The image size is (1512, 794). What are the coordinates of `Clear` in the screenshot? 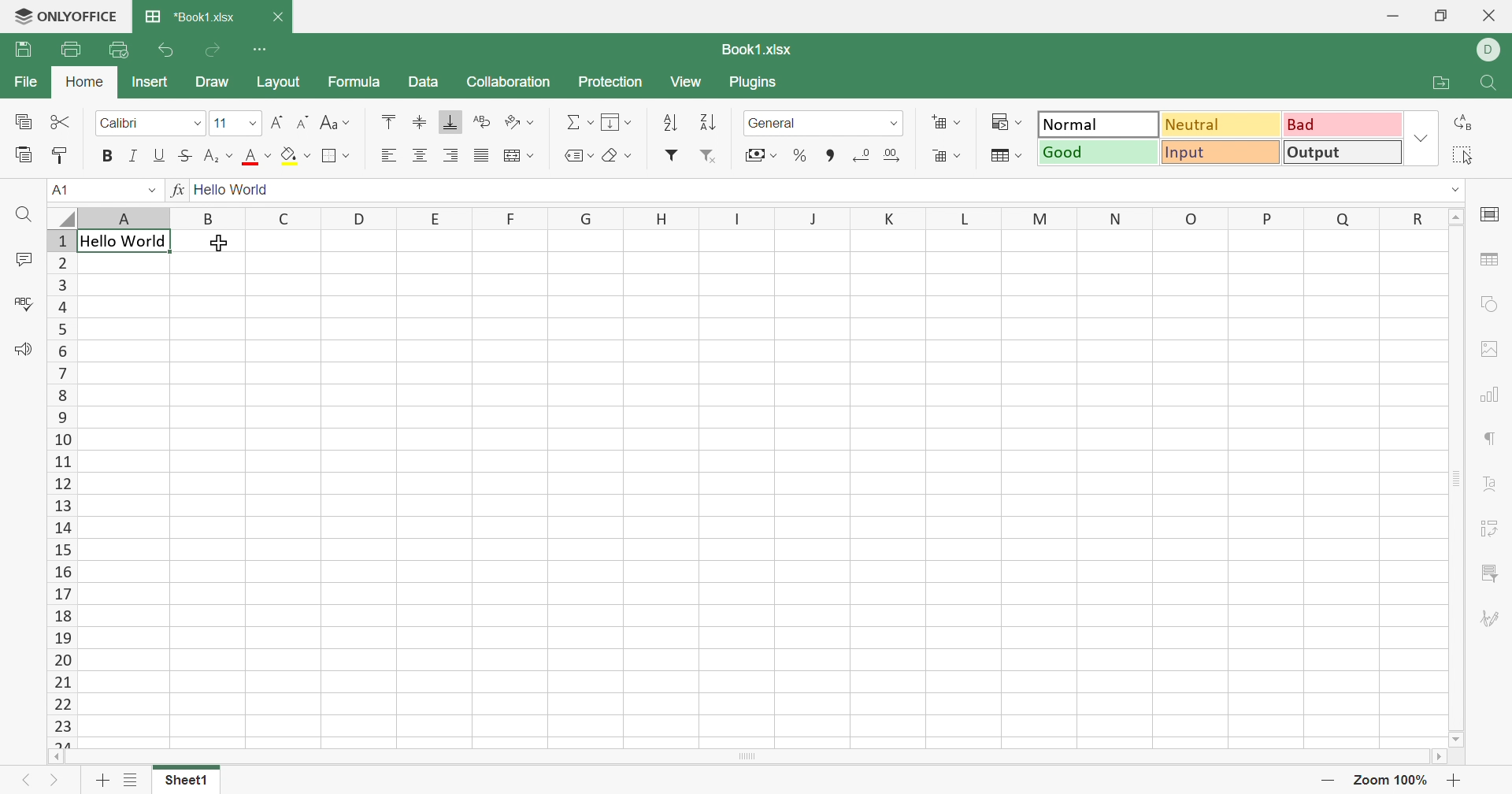 It's located at (620, 155).